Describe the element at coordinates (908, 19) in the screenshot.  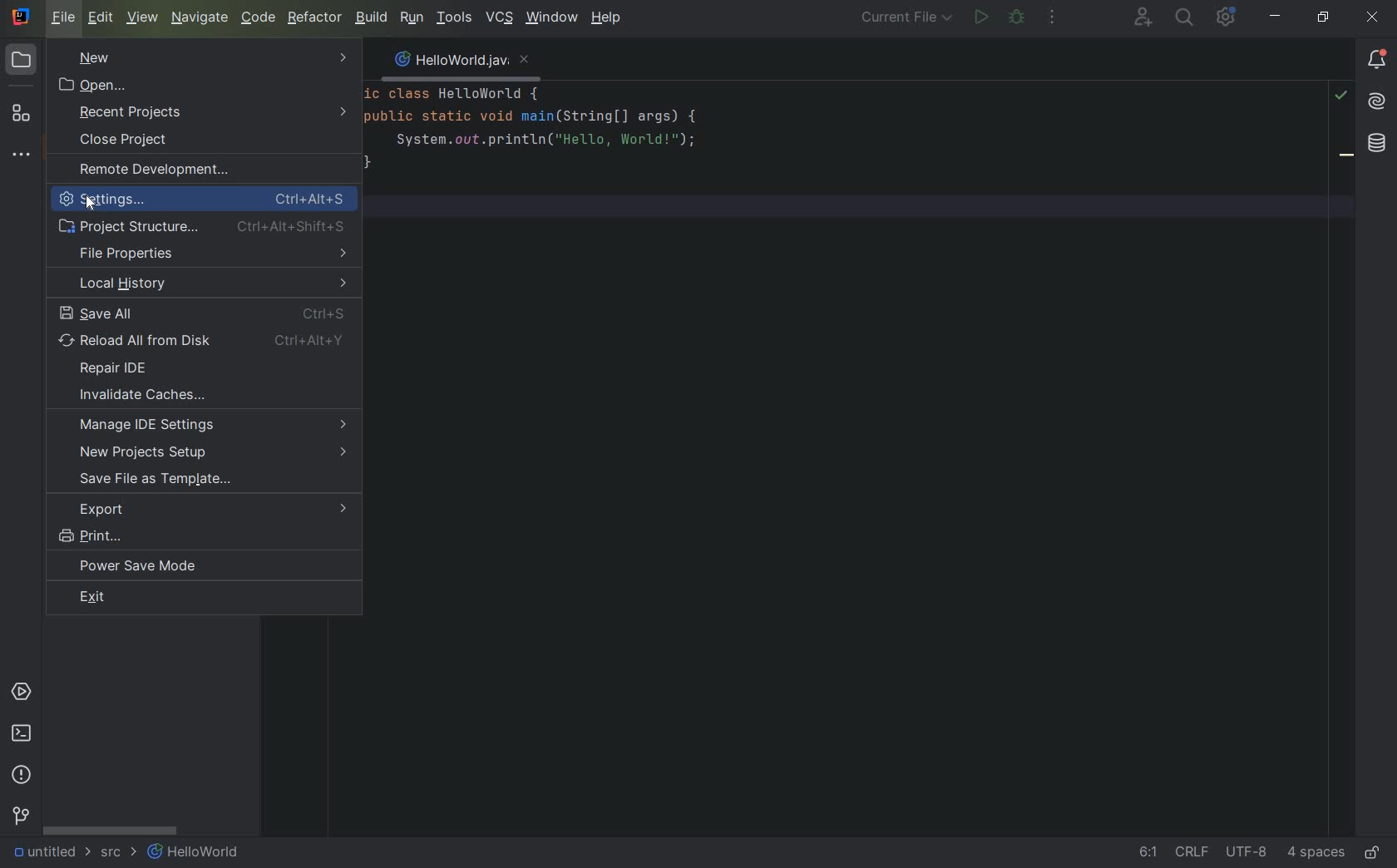
I see `run/debug configuration` at that location.